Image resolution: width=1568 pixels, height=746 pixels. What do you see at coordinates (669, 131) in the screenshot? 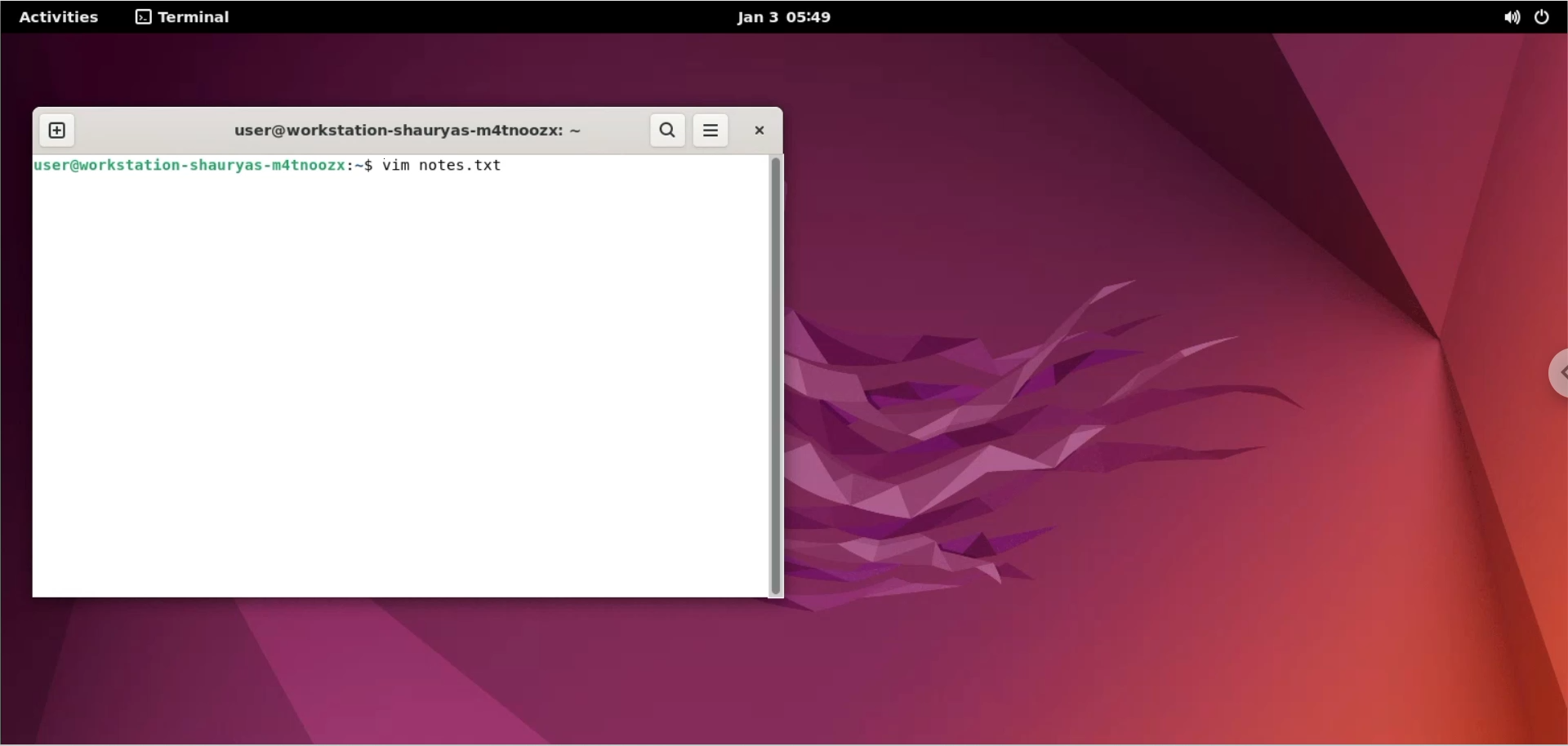
I see `search` at bounding box center [669, 131].